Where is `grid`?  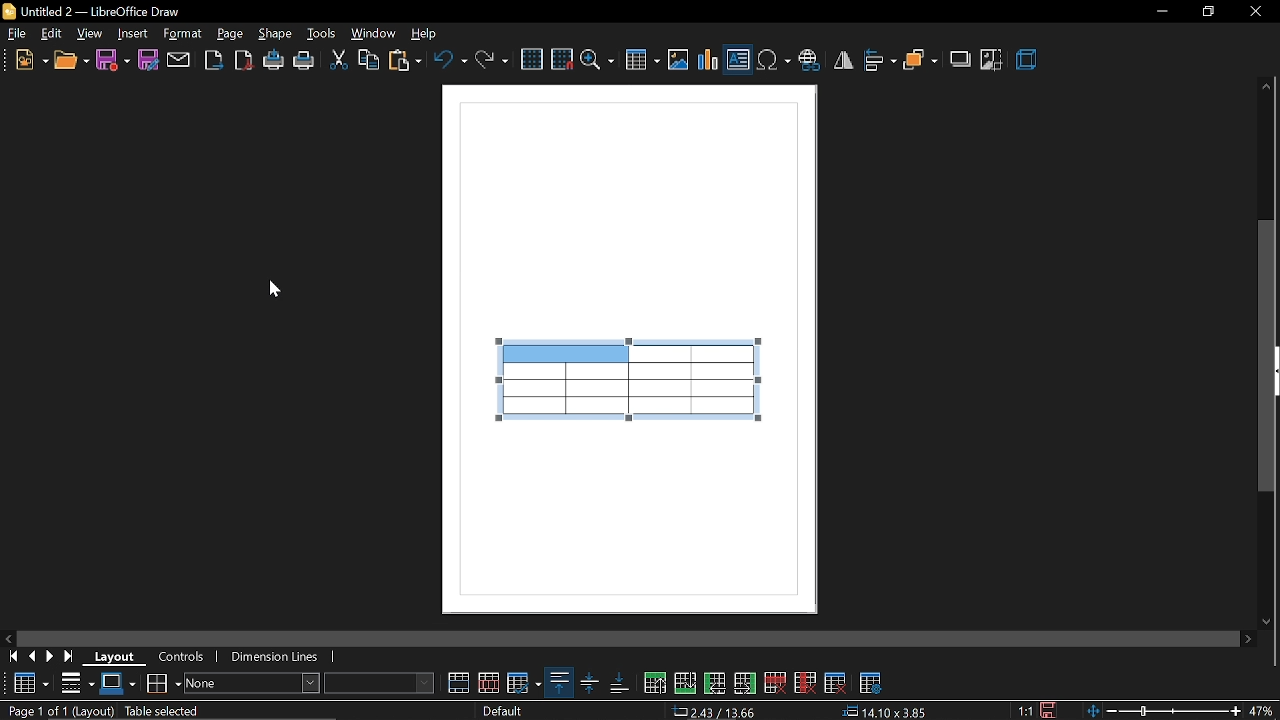 grid is located at coordinates (533, 60).